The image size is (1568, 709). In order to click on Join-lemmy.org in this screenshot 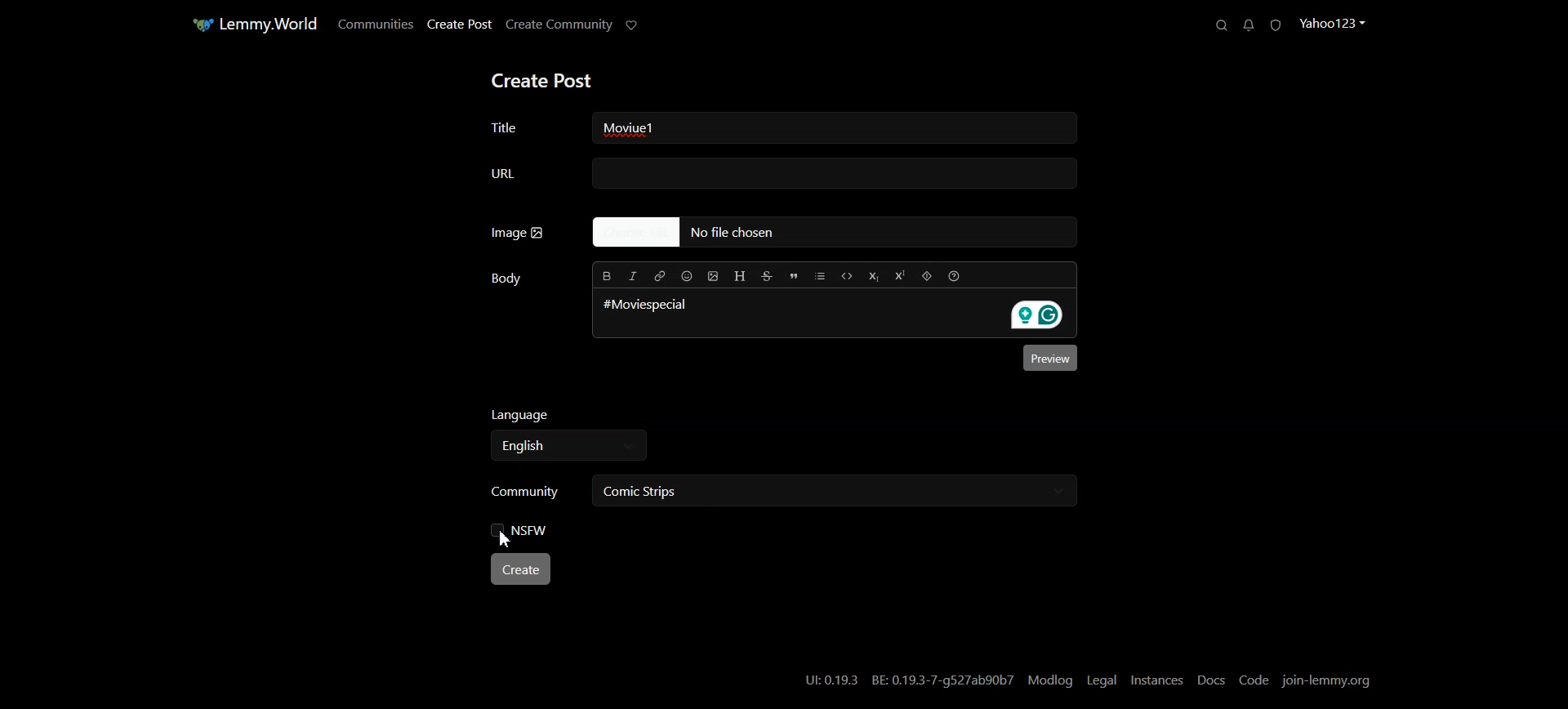, I will do `click(1329, 680)`.